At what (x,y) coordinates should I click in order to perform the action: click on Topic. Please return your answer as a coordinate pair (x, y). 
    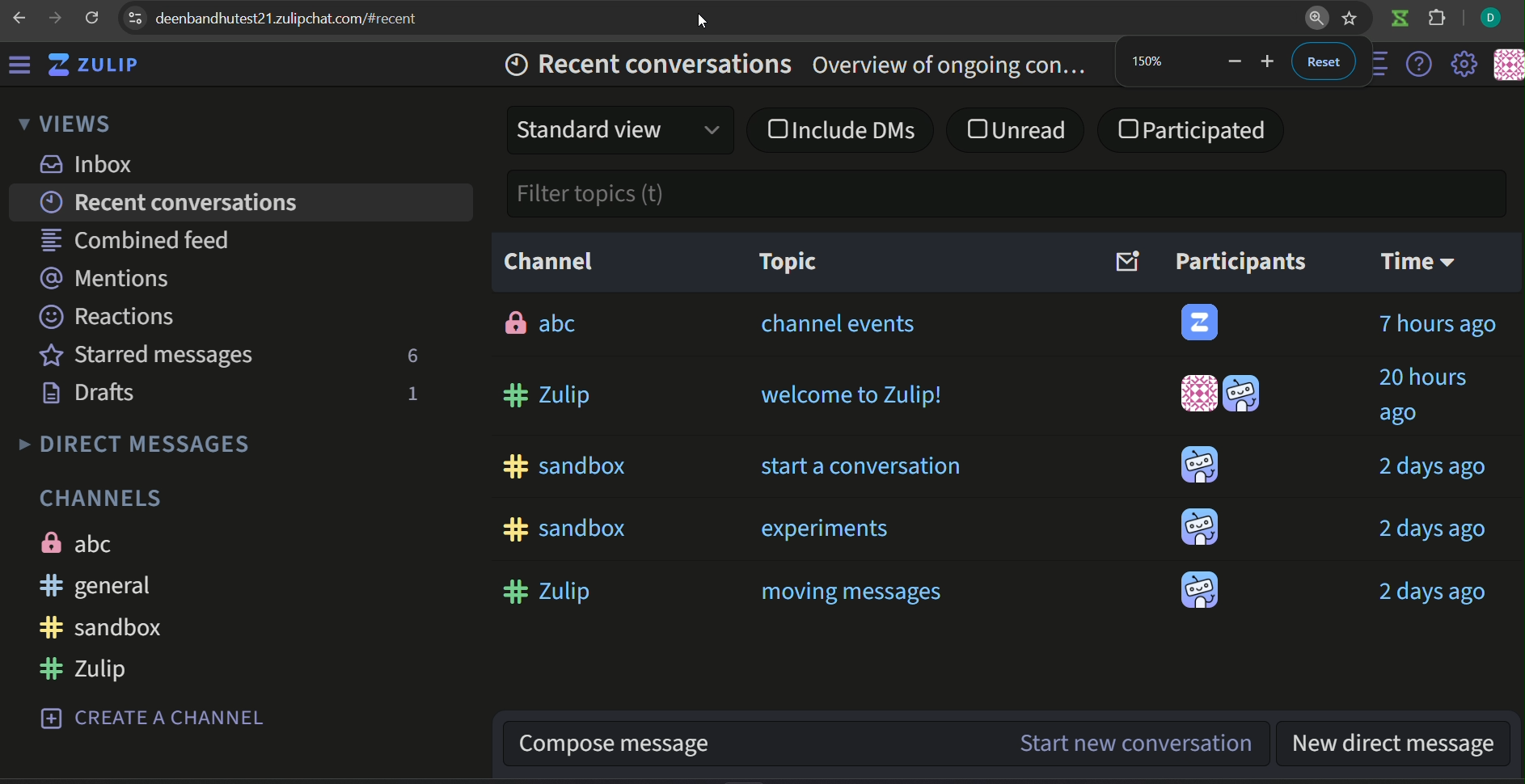
    Looking at the image, I should click on (782, 262).